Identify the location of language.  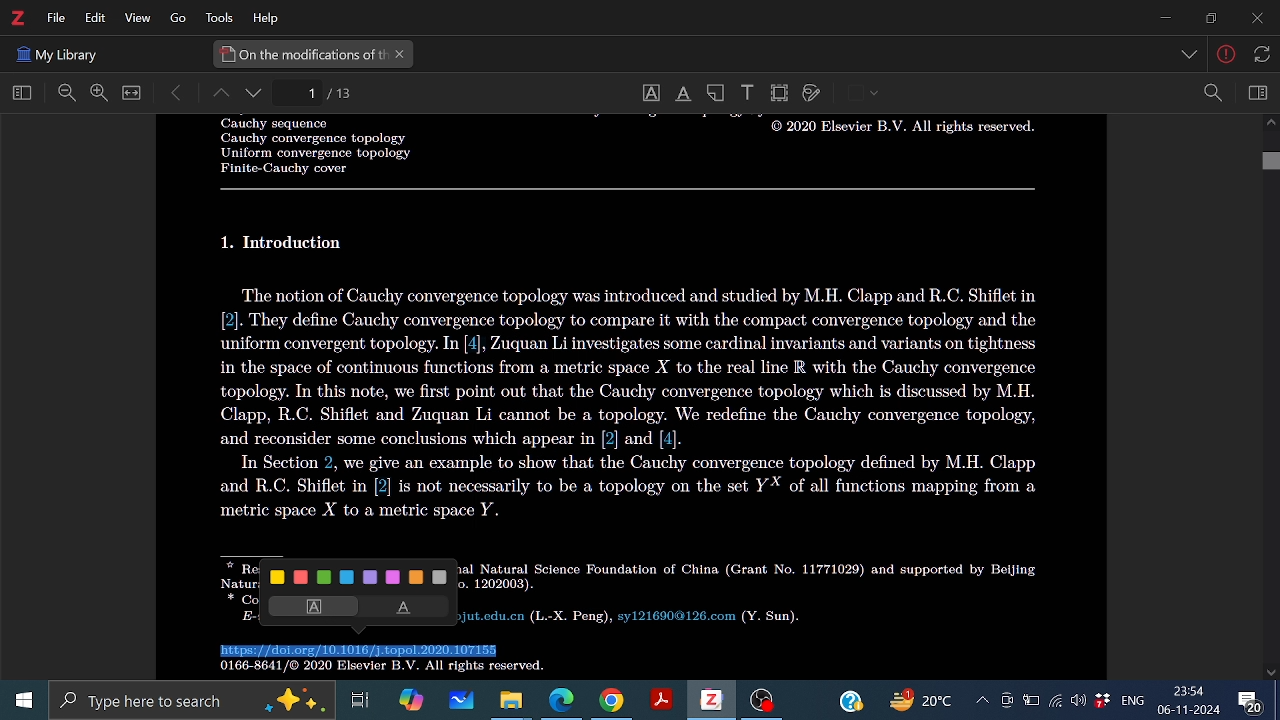
(1130, 699).